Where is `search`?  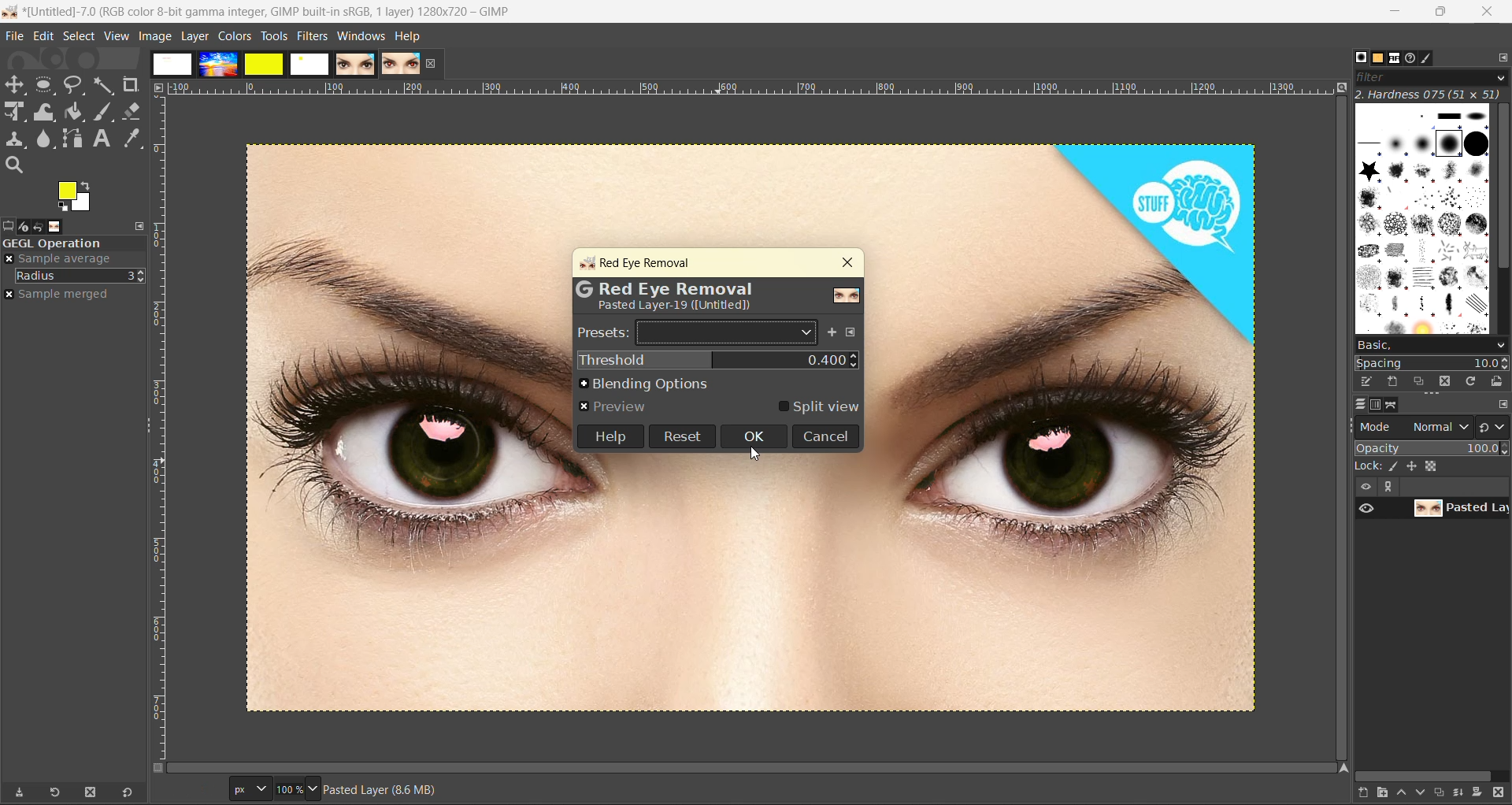
search is located at coordinates (13, 165).